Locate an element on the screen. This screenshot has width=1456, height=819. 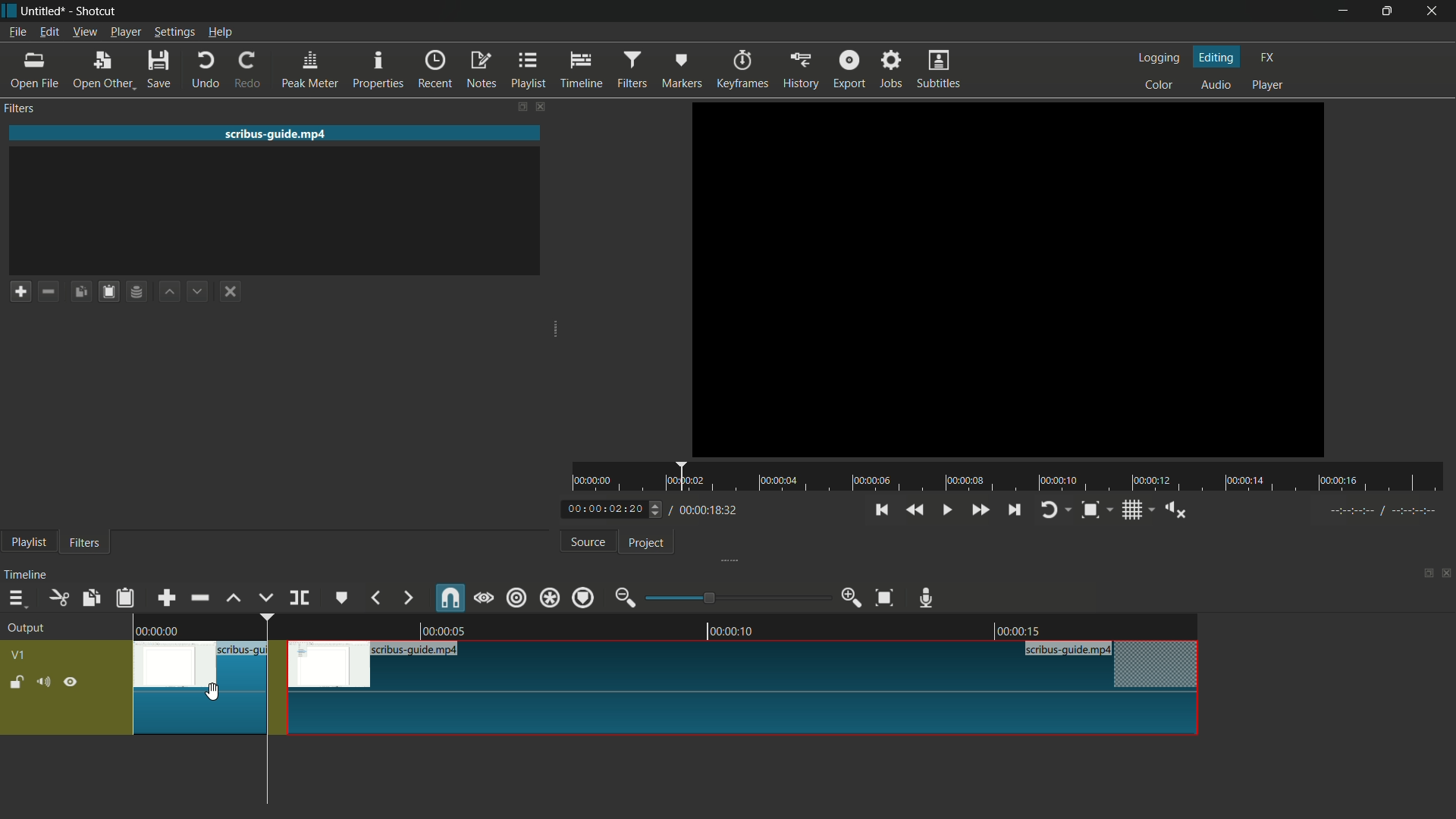
zoom in is located at coordinates (850, 598).